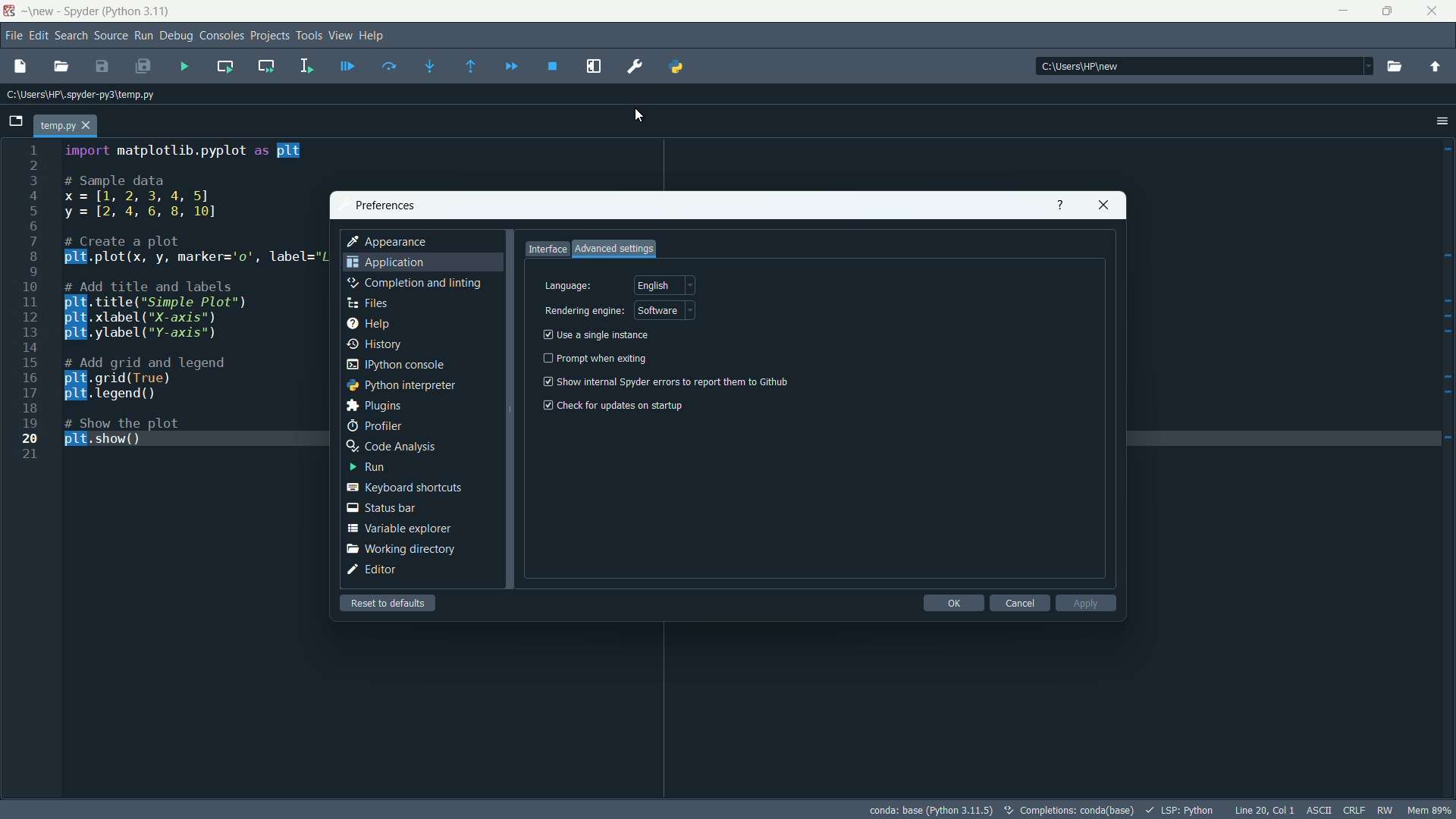 This screenshot has height=819, width=1456. I want to click on help, so click(375, 36).